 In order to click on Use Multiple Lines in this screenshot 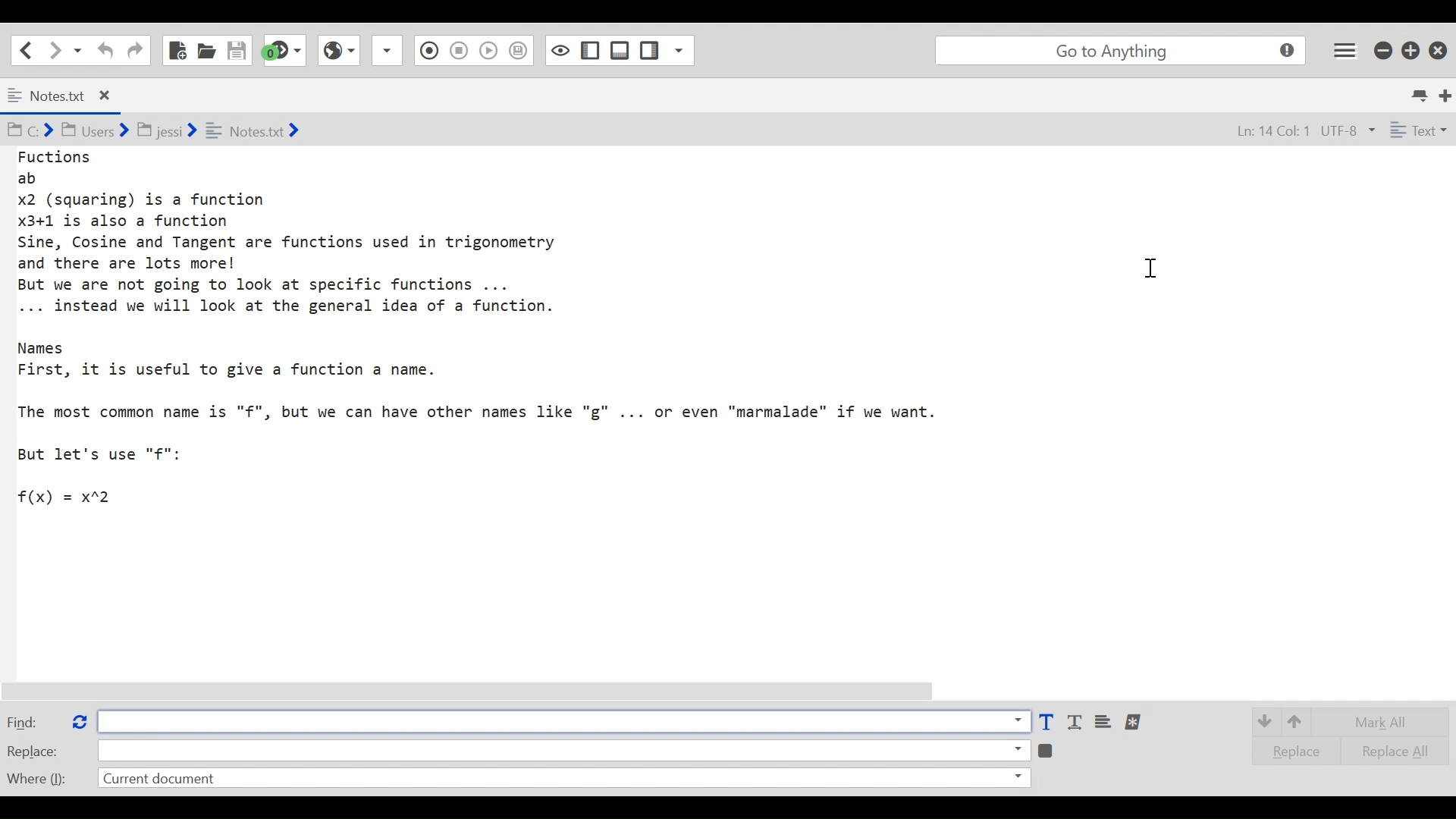, I will do `click(1105, 723)`.